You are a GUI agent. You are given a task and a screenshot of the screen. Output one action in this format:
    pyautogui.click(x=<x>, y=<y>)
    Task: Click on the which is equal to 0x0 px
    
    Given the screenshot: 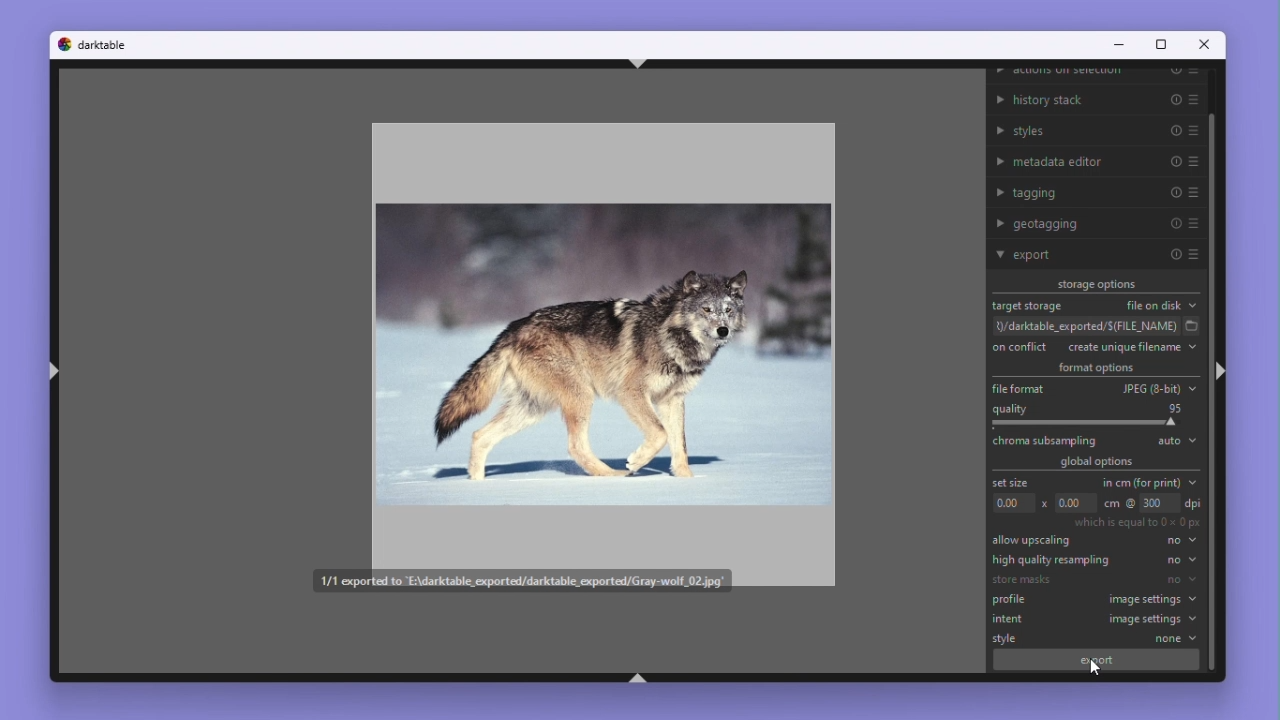 What is the action you would take?
    pyautogui.click(x=1140, y=522)
    